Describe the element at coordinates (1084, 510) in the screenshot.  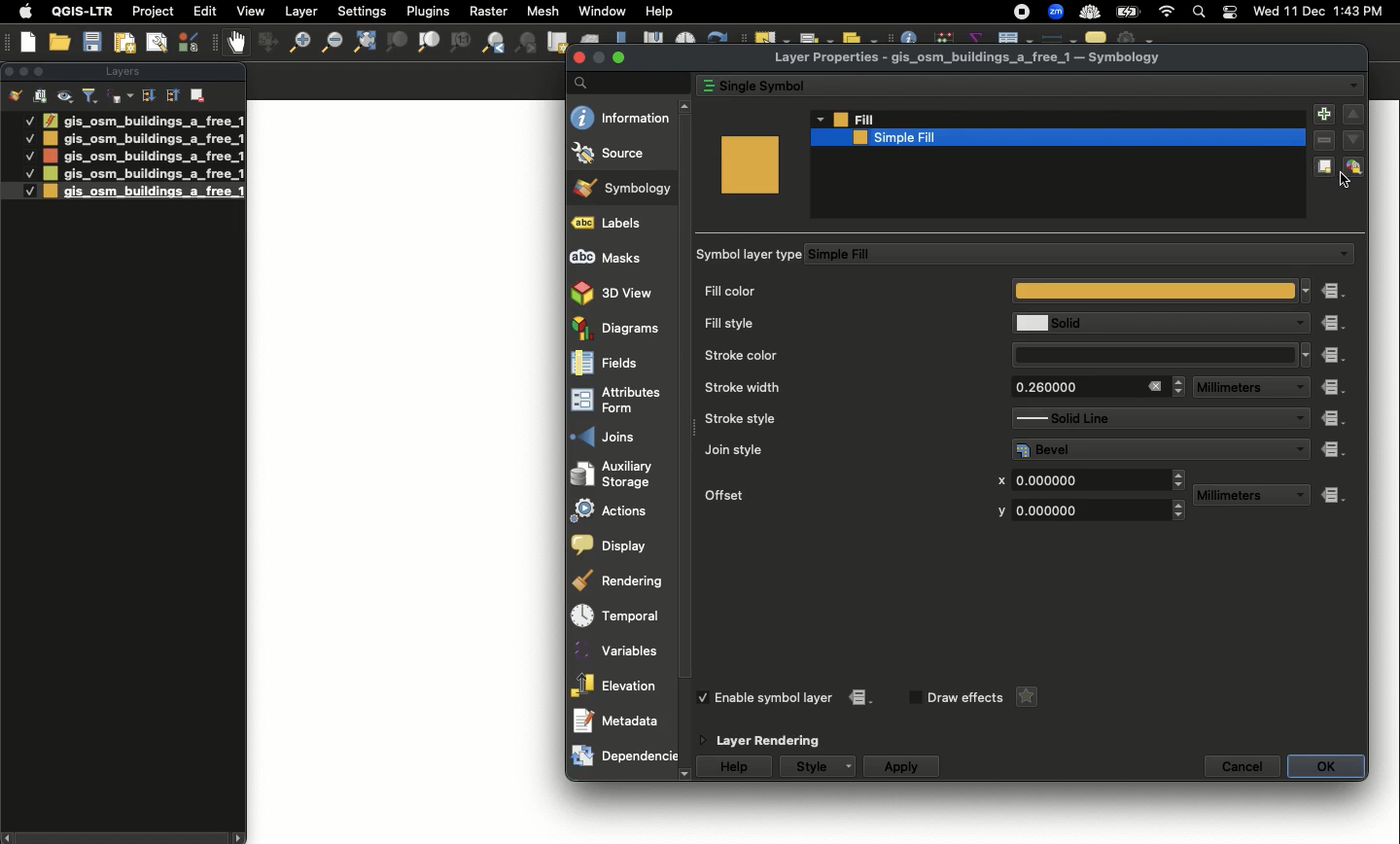
I see ` 0.000000` at that location.